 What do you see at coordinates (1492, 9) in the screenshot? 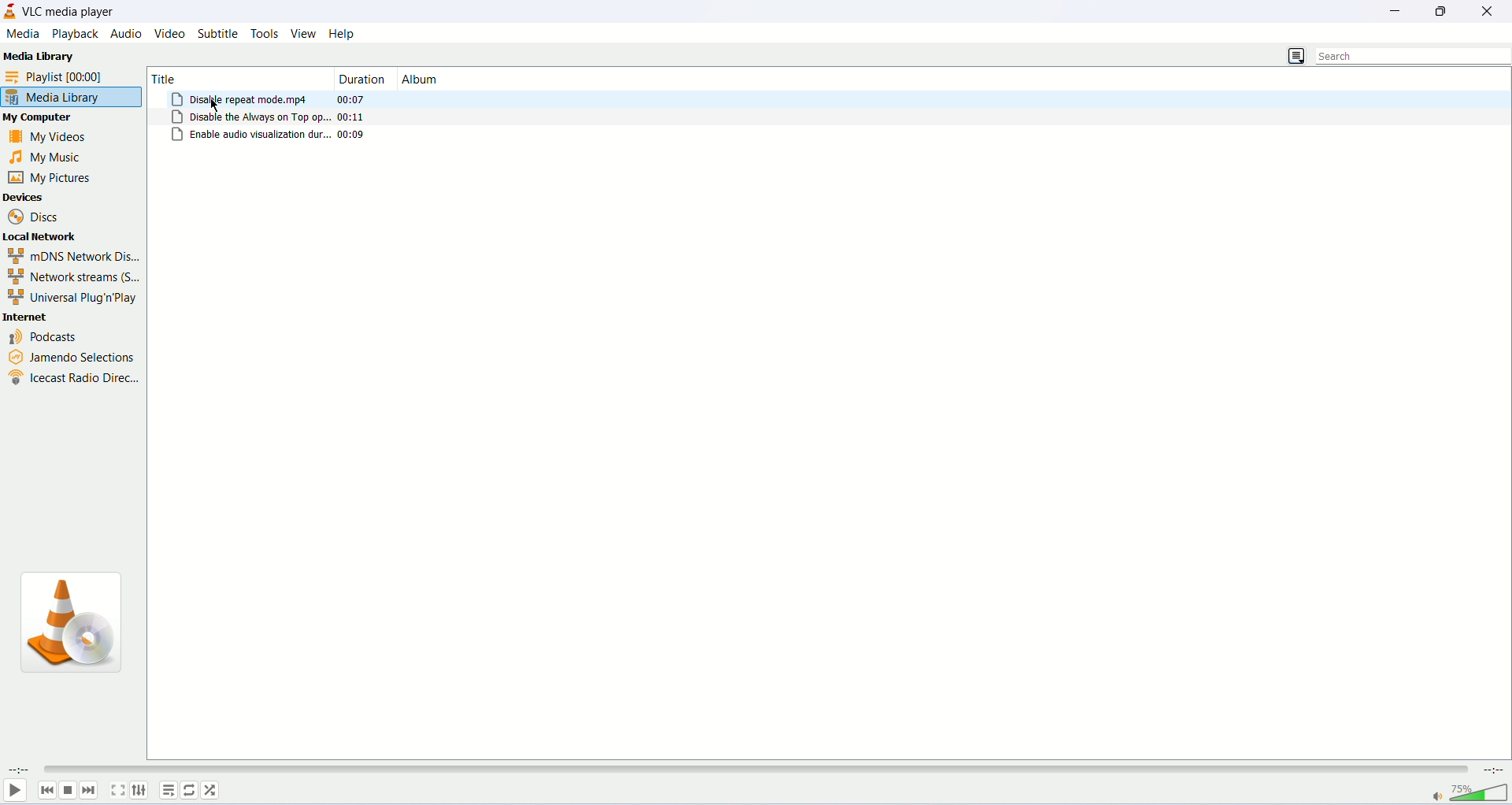
I see `close` at bounding box center [1492, 9].